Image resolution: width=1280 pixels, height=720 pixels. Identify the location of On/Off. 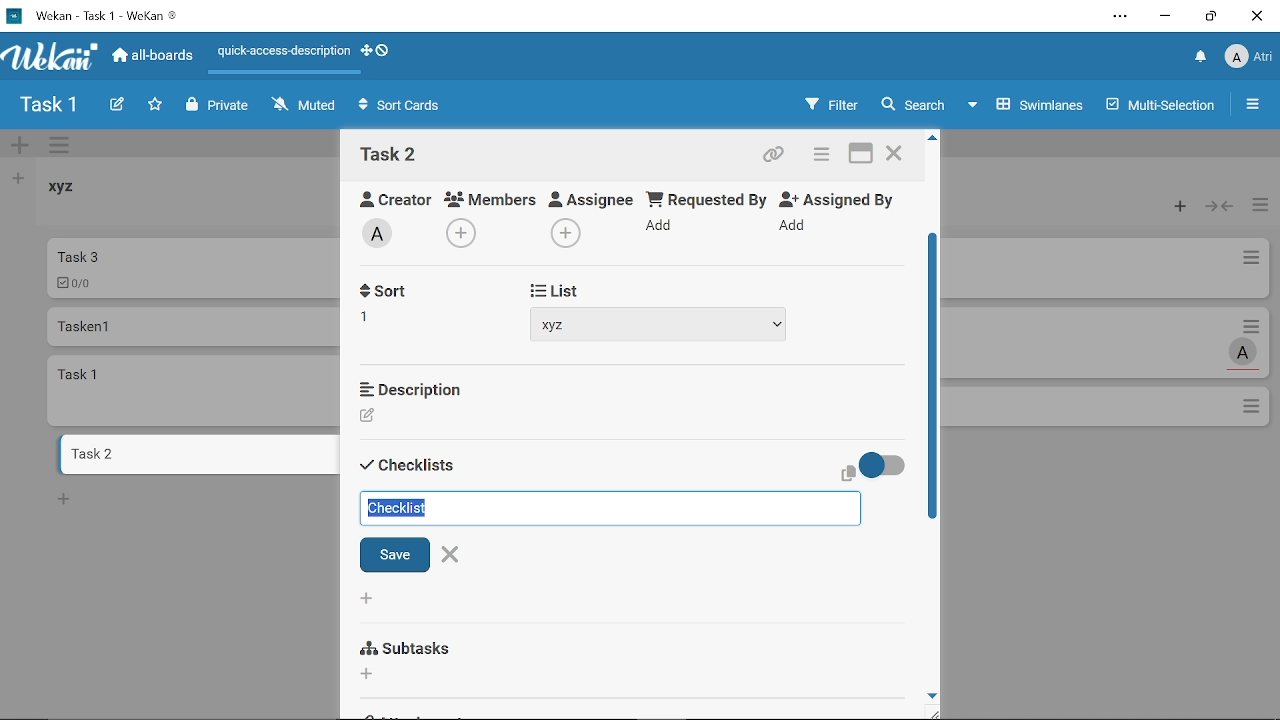
(888, 464).